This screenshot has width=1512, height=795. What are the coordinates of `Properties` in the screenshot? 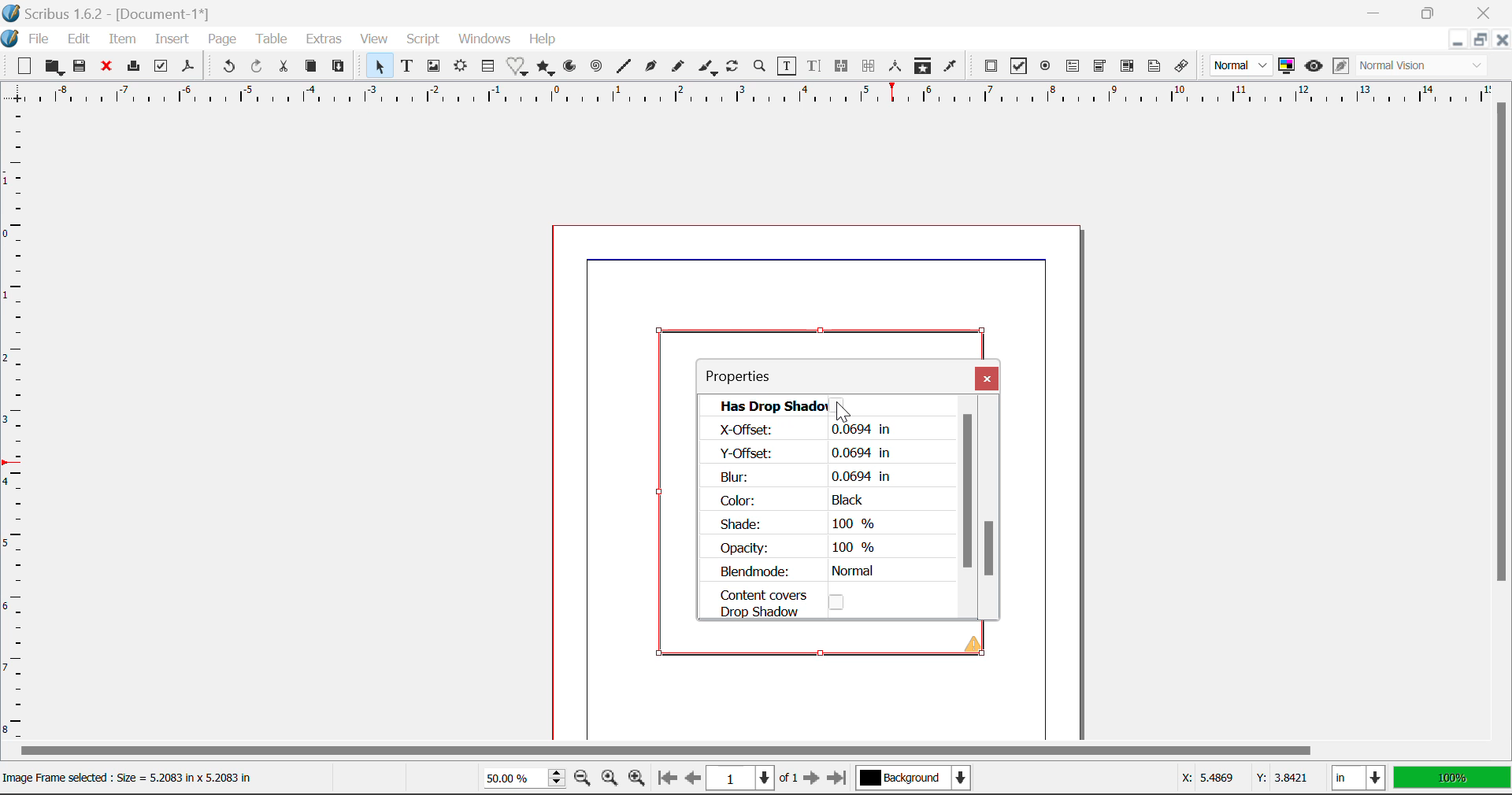 It's located at (756, 377).